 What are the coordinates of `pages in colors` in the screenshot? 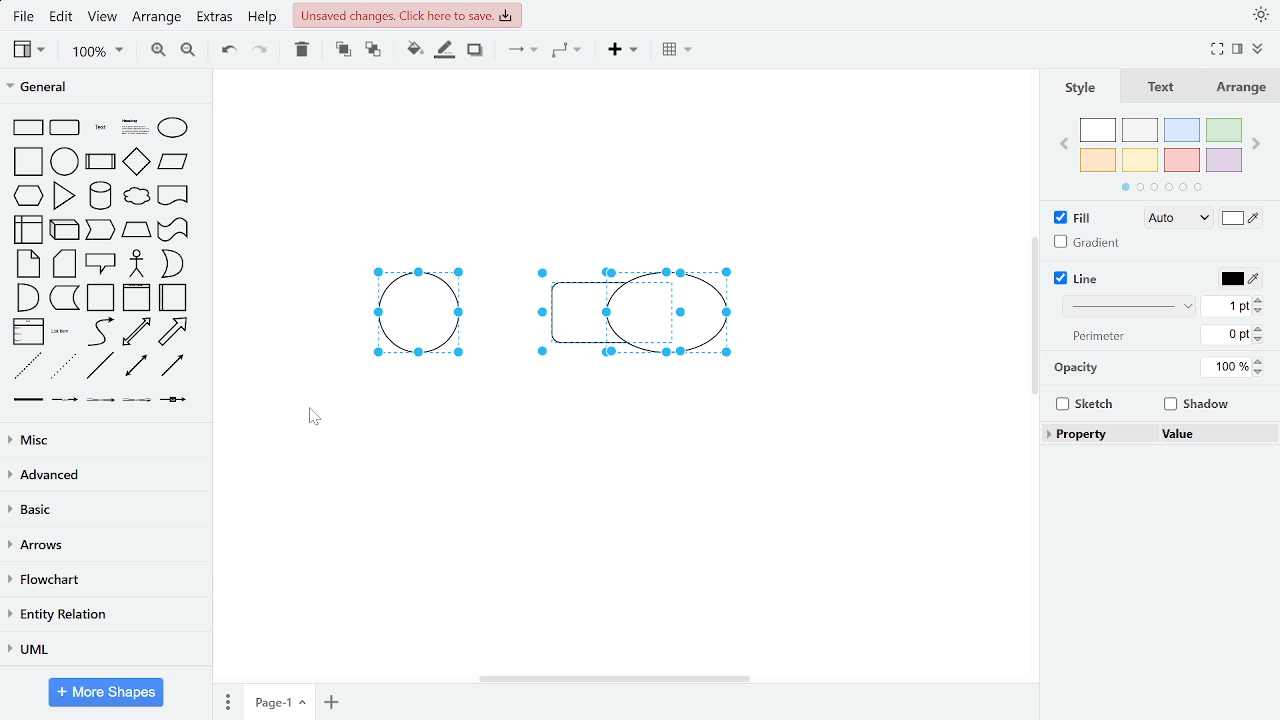 It's located at (1162, 189).